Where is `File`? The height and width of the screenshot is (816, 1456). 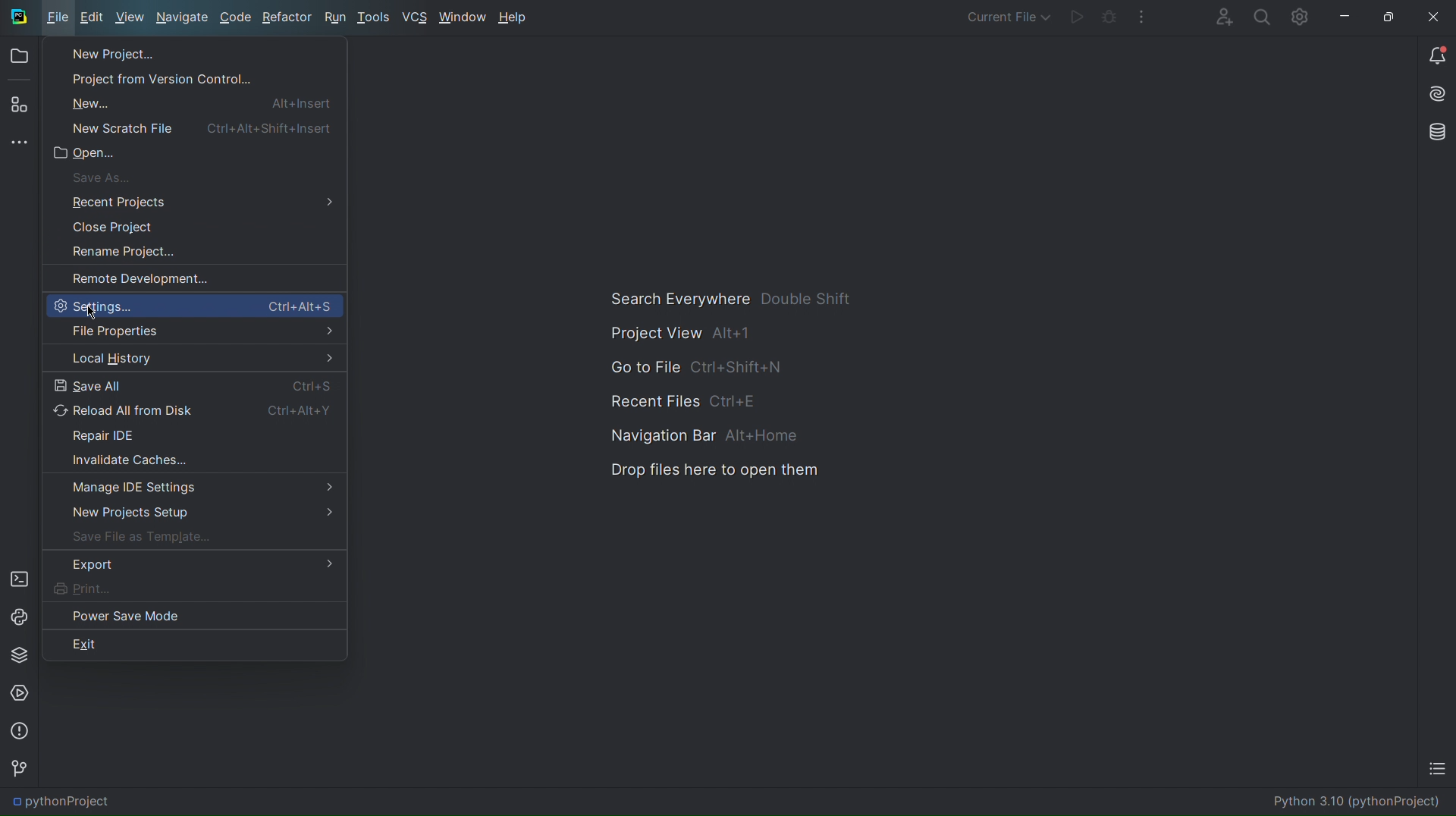 File is located at coordinates (56, 18).